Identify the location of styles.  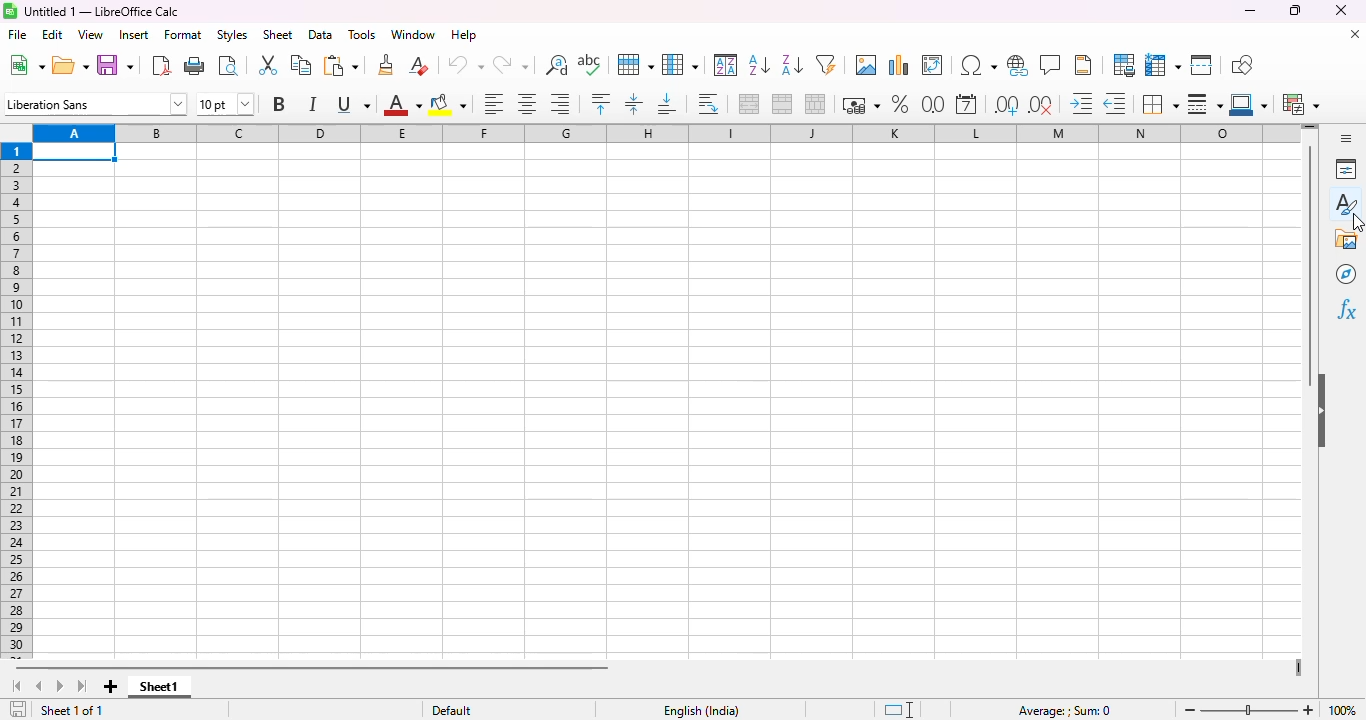
(1347, 202).